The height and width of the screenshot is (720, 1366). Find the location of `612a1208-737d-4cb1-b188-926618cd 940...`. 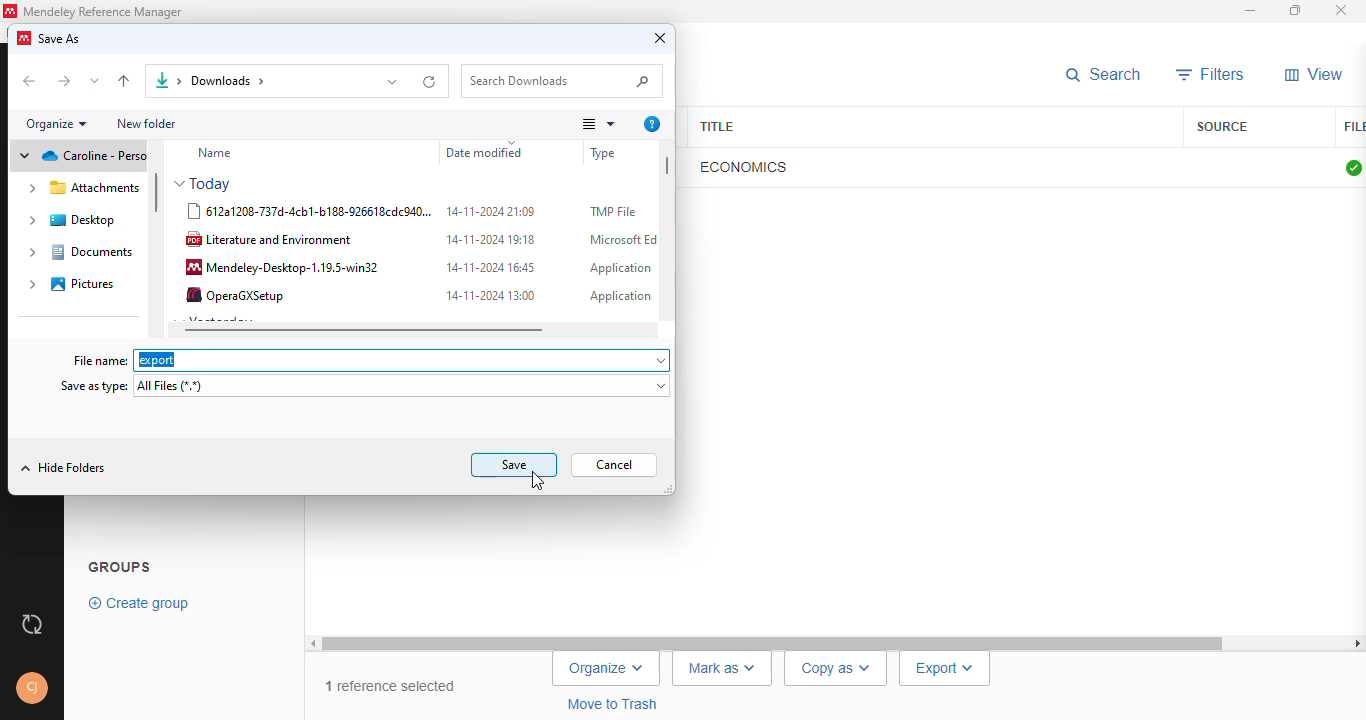

612a1208-737d-4cb1-b188-926618cd 940... is located at coordinates (309, 211).